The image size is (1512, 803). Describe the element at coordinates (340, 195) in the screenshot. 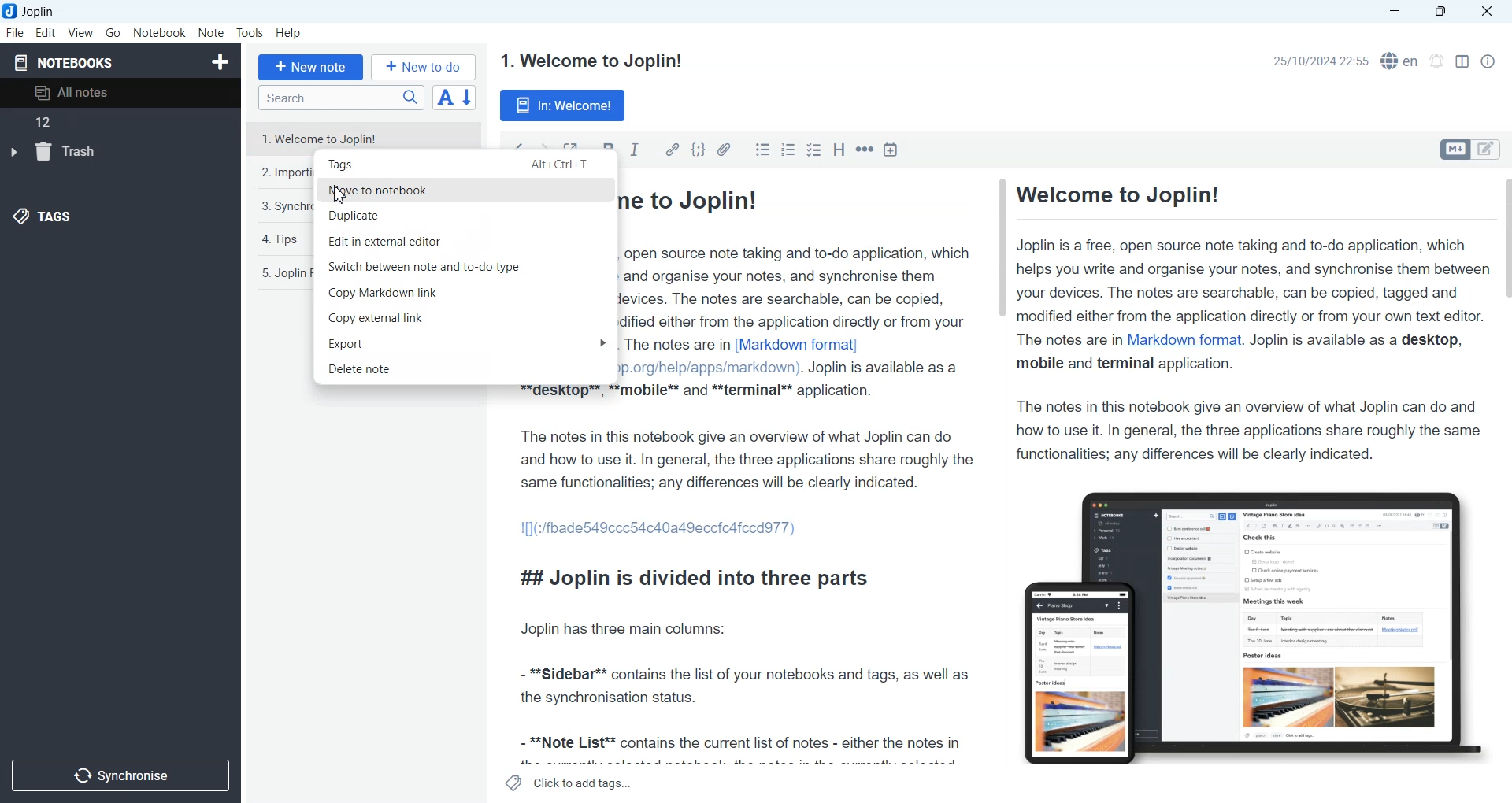

I see `Cursor` at that location.